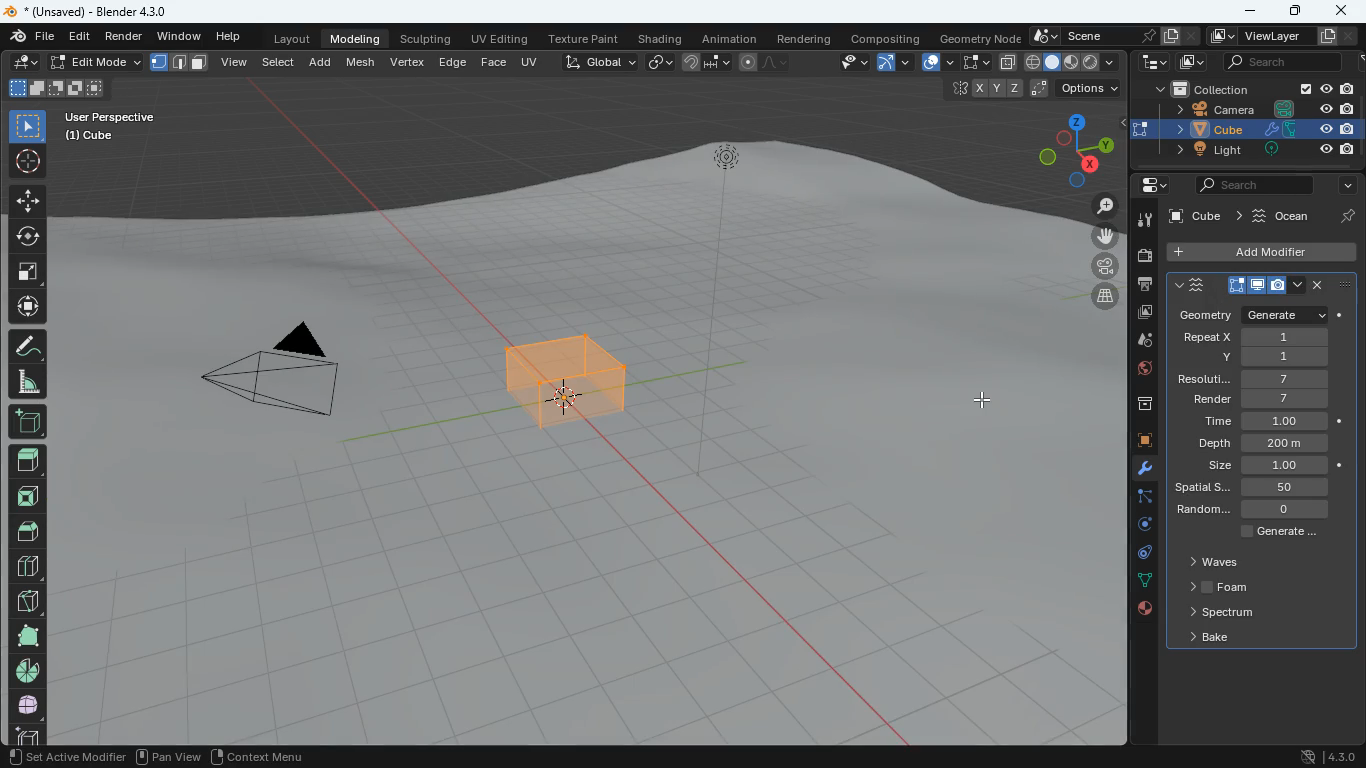 The image size is (1366, 768). I want to click on diagonal, so click(27, 597).